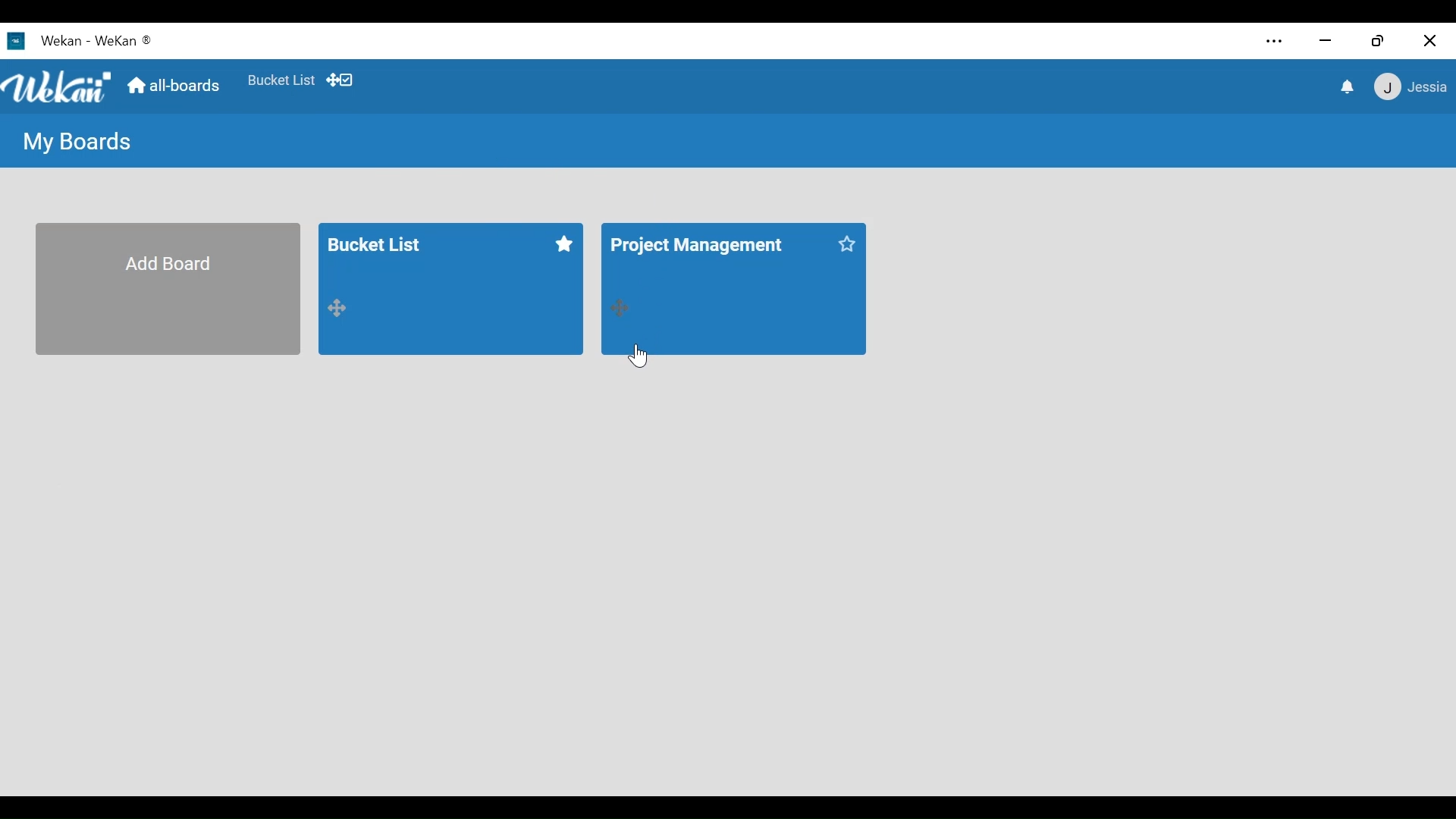 The width and height of the screenshot is (1456, 819). Describe the element at coordinates (642, 357) in the screenshot. I see `Cursor` at that location.